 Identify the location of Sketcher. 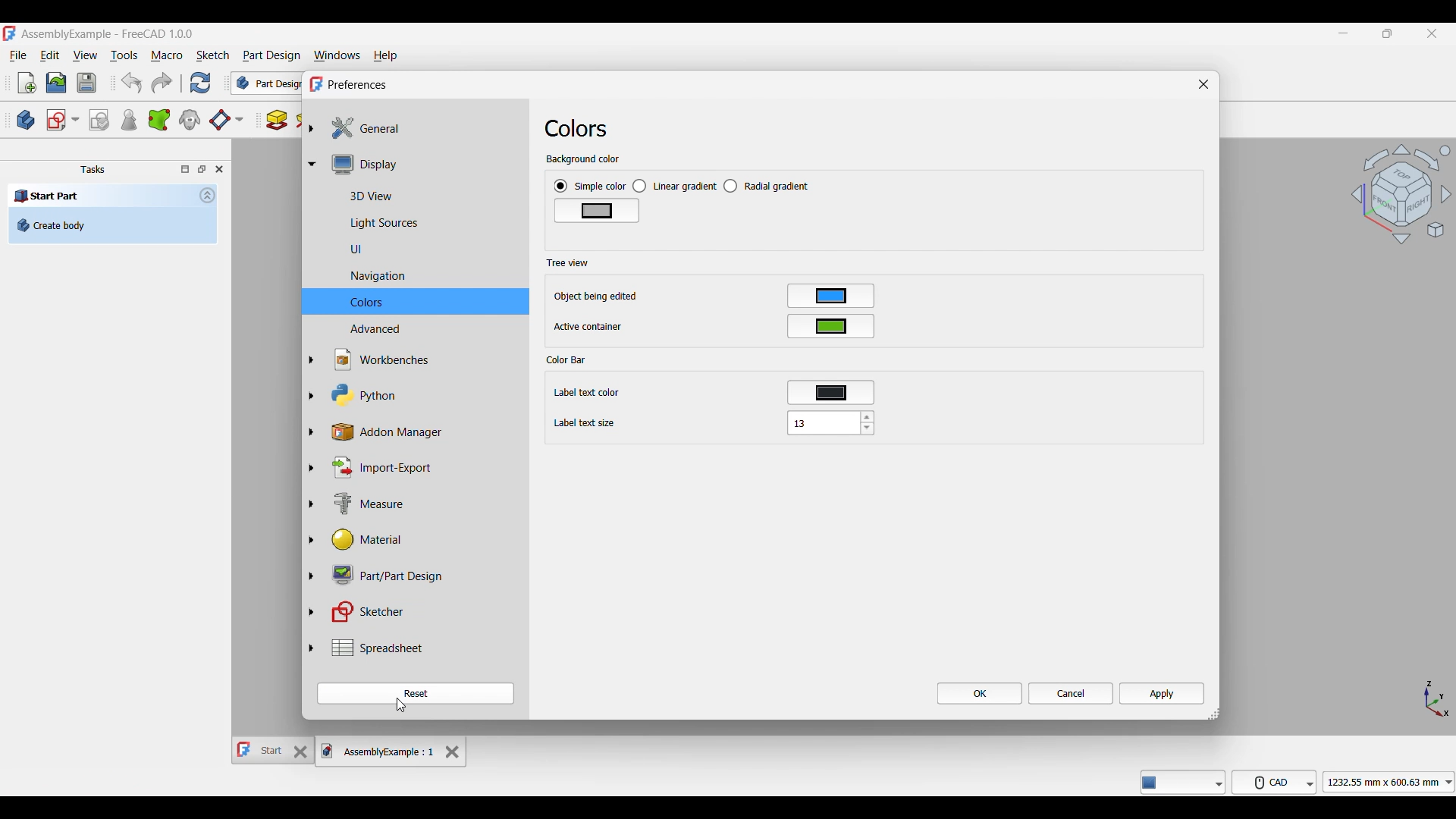
(361, 612).